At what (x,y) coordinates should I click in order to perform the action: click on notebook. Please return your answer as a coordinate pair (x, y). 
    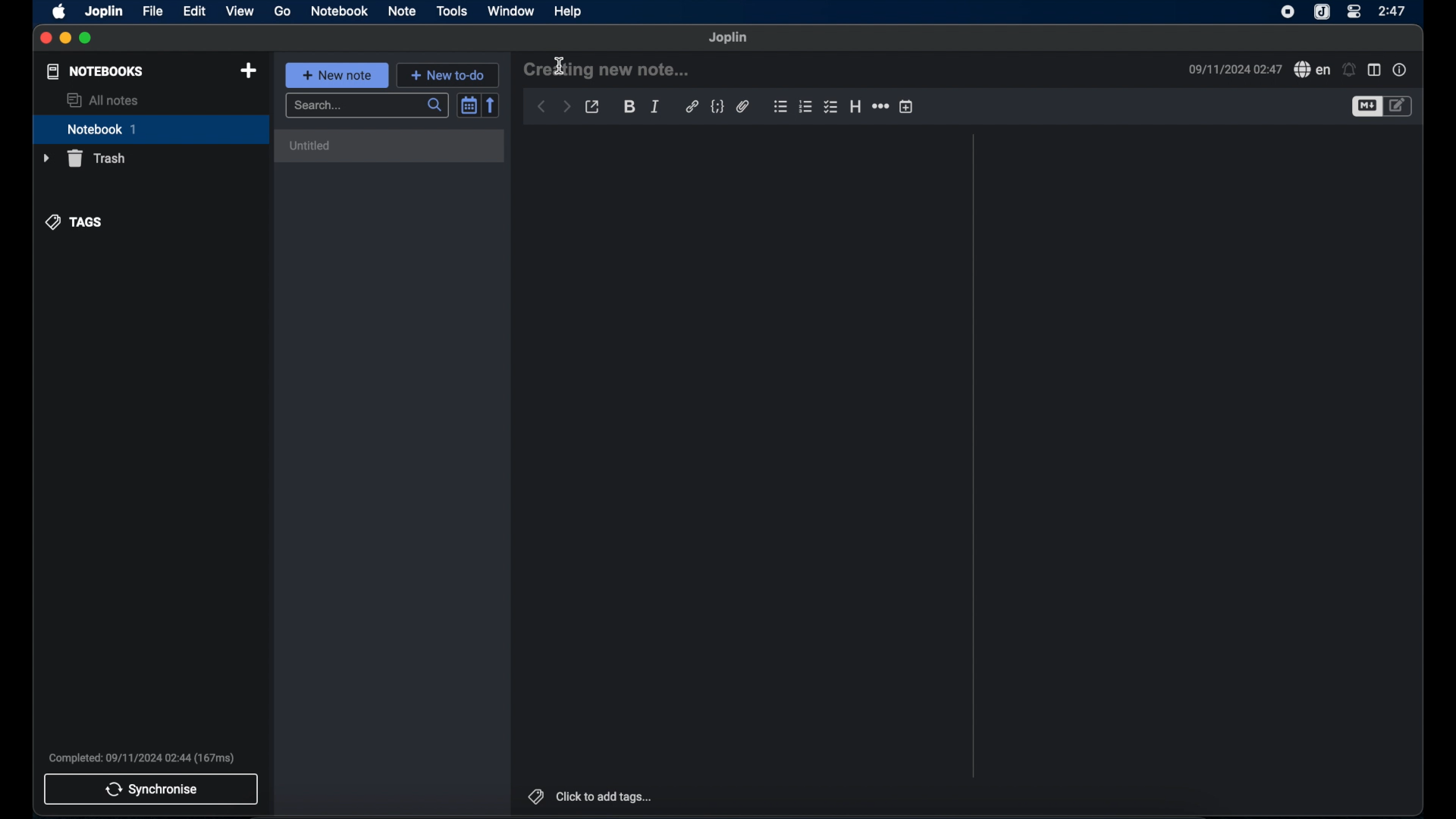
    Looking at the image, I should click on (339, 11).